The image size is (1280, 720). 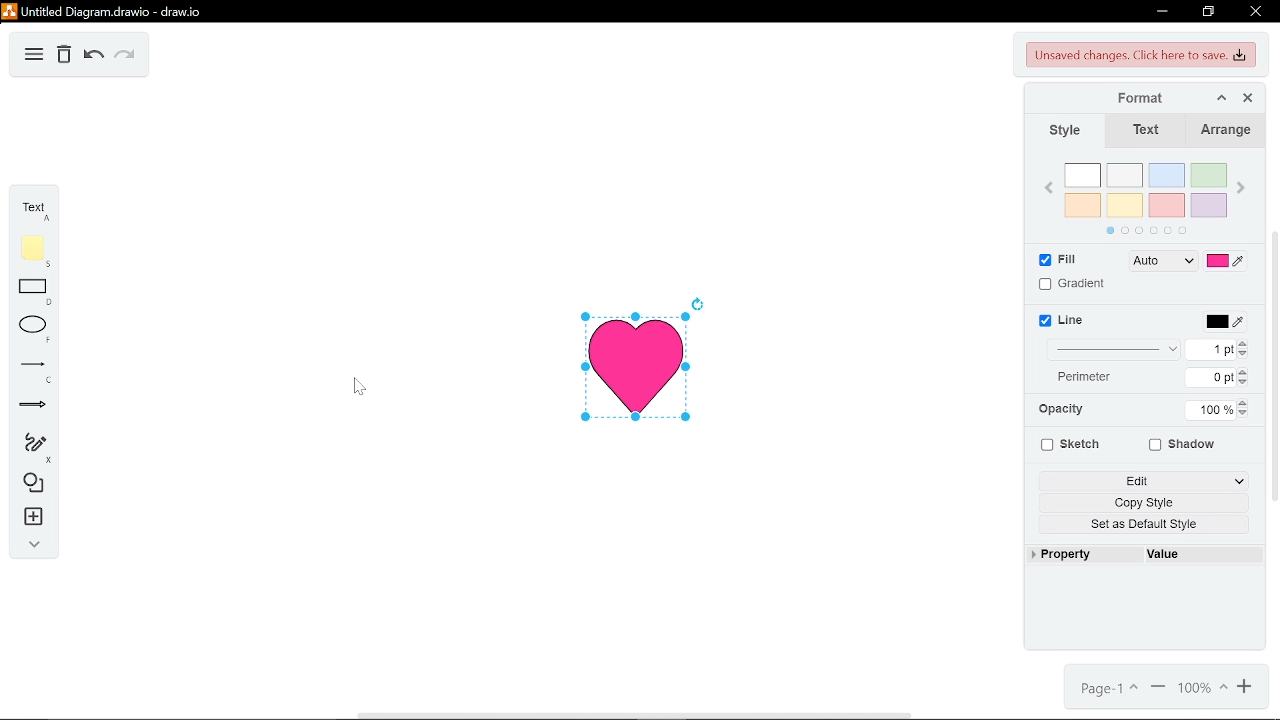 I want to click on arrows, so click(x=34, y=405).